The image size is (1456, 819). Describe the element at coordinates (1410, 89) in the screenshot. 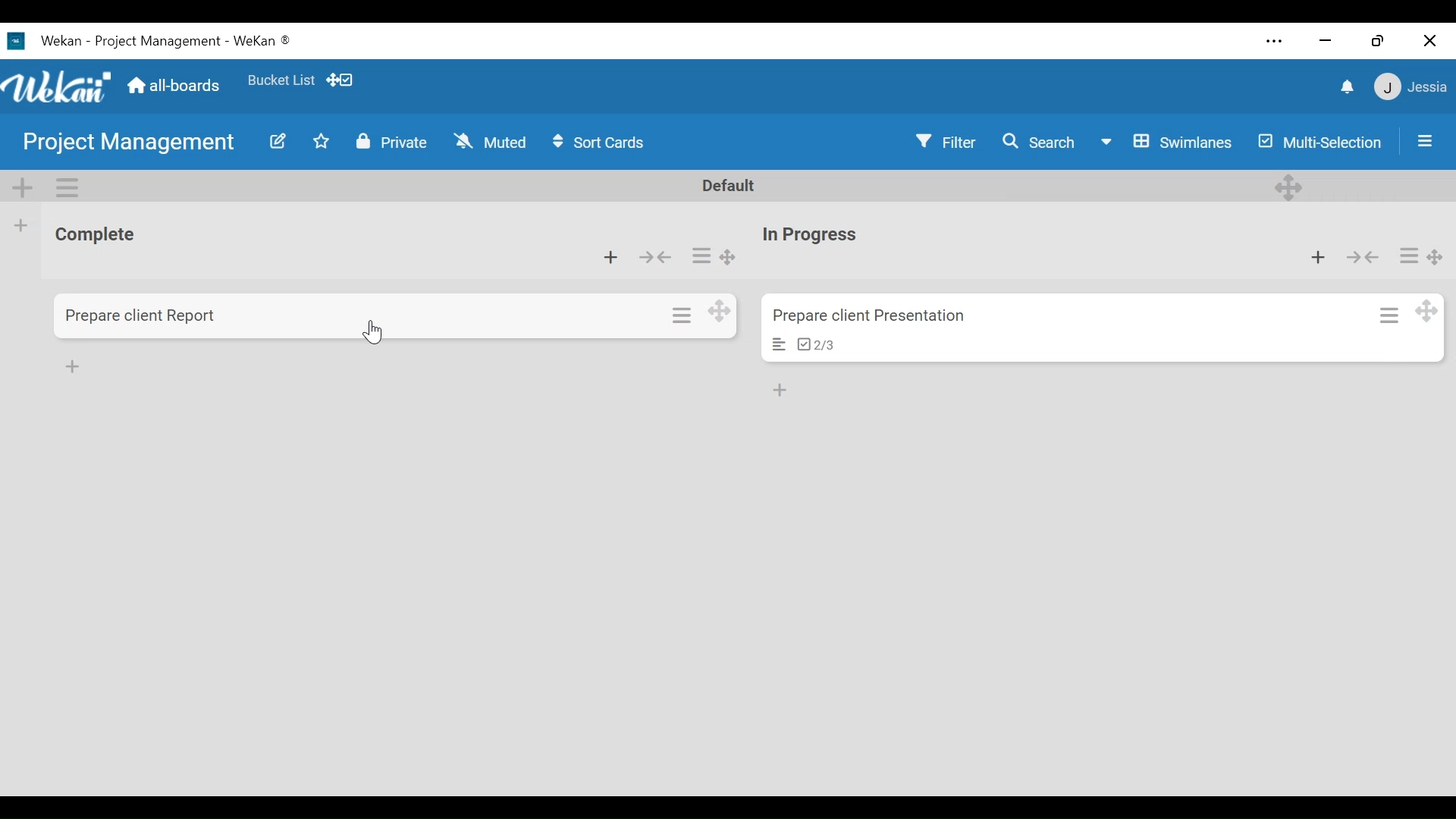

I see `Member` at that location.